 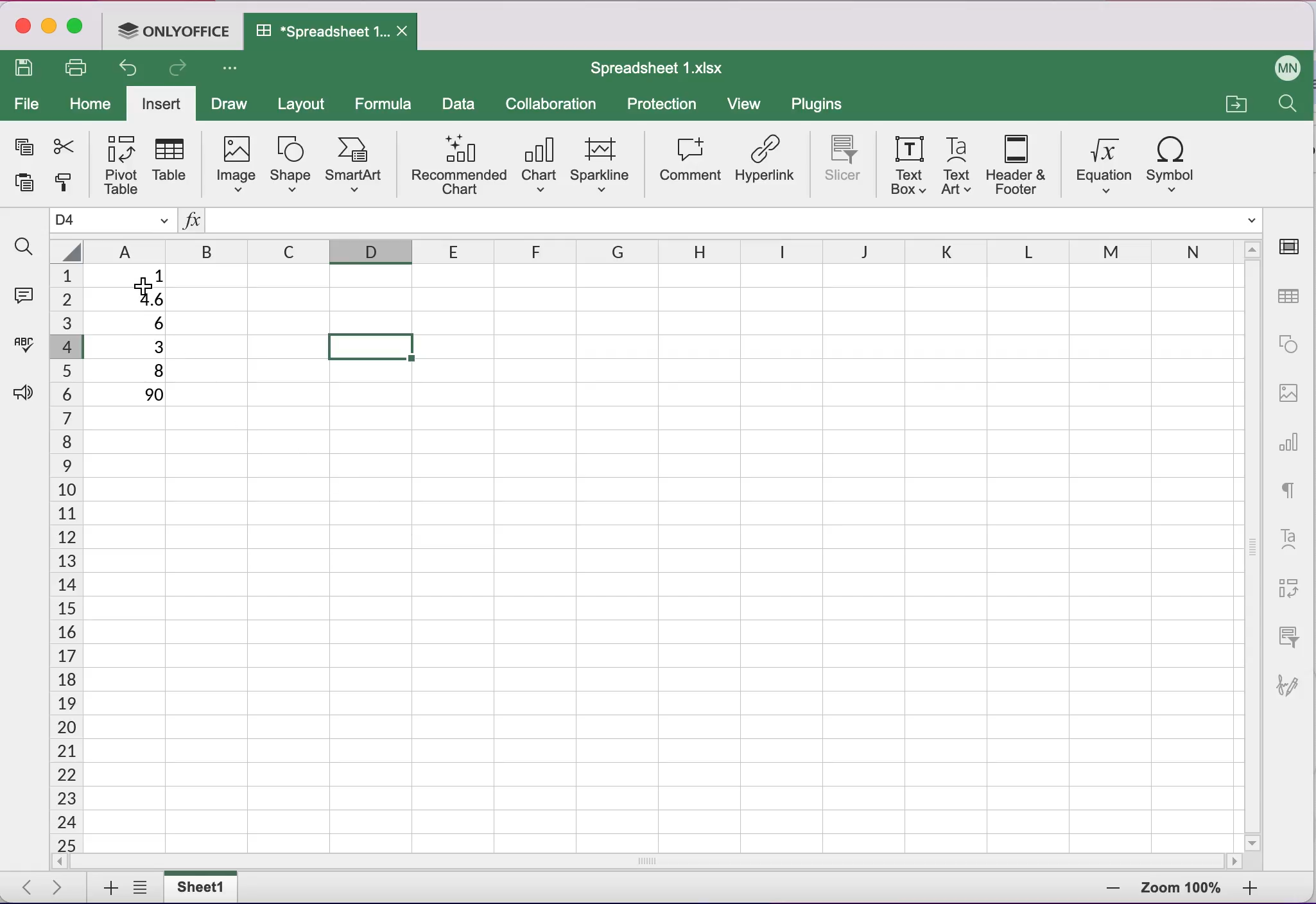 I want to click on save, so click(x=23, y=69).